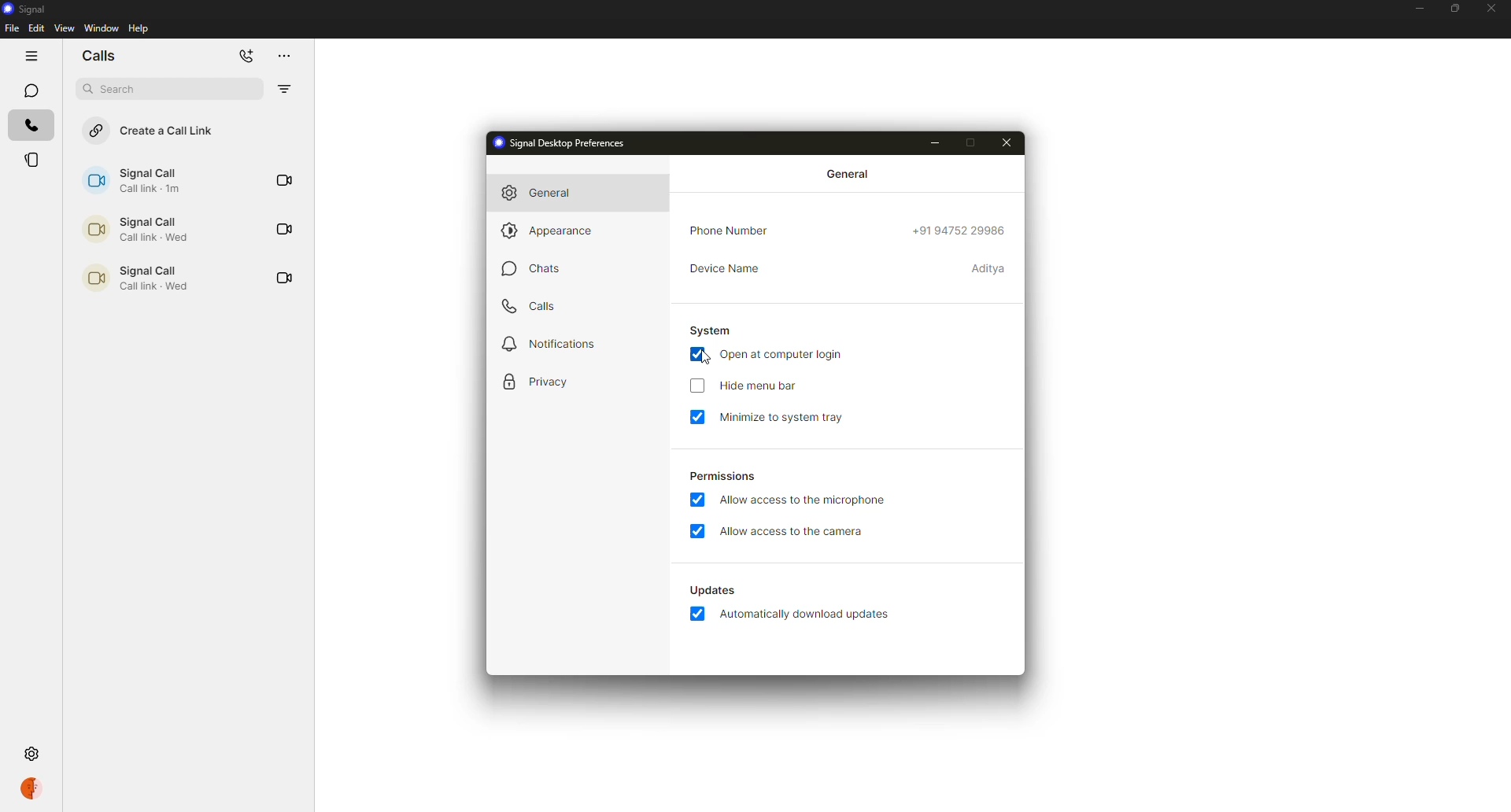  What do you see at coordinates (134, 180) in the screenshot?
I see `call link` at bounding box center [134, 180].